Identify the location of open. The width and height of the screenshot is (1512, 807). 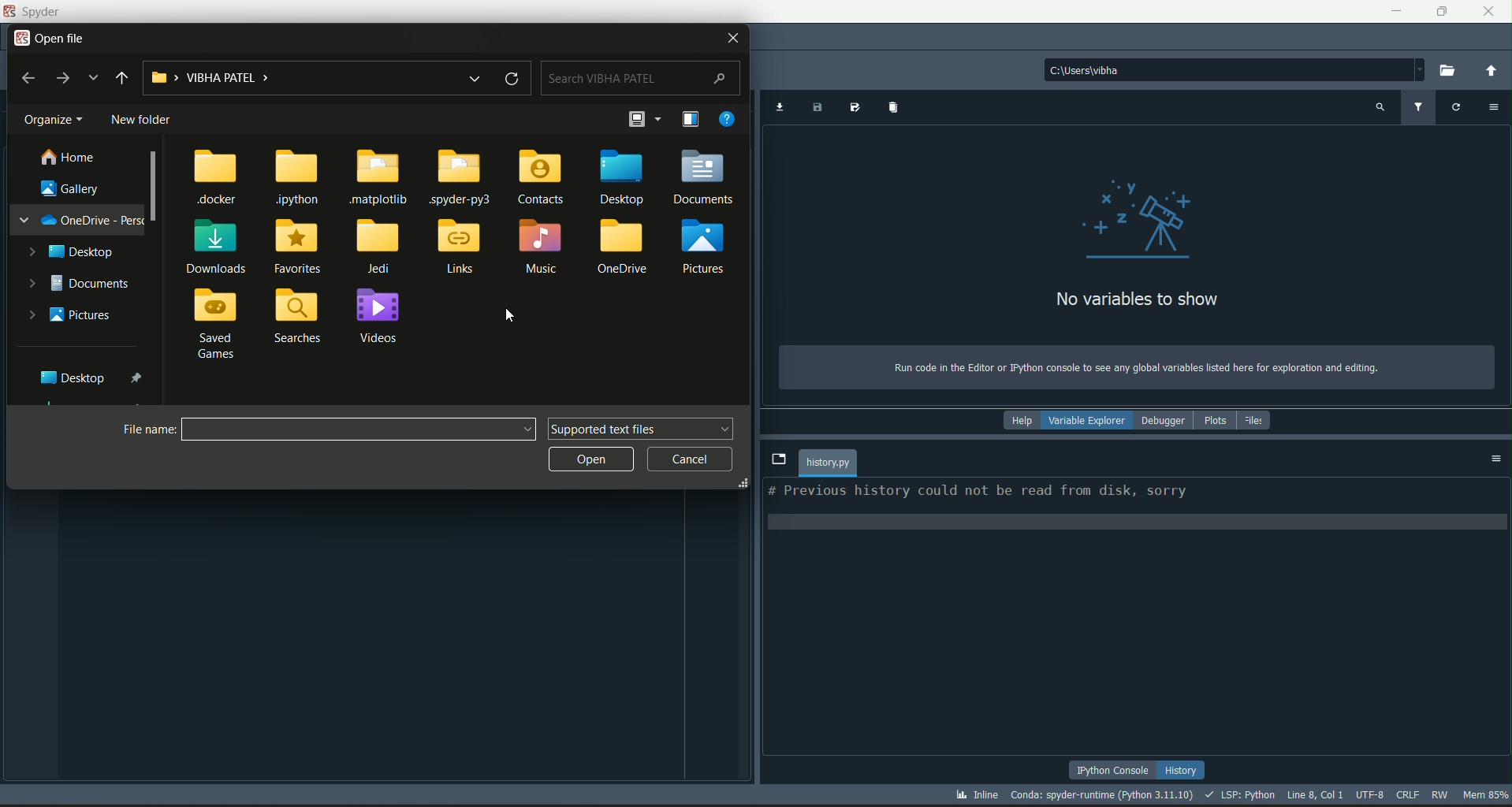
(593, 459).